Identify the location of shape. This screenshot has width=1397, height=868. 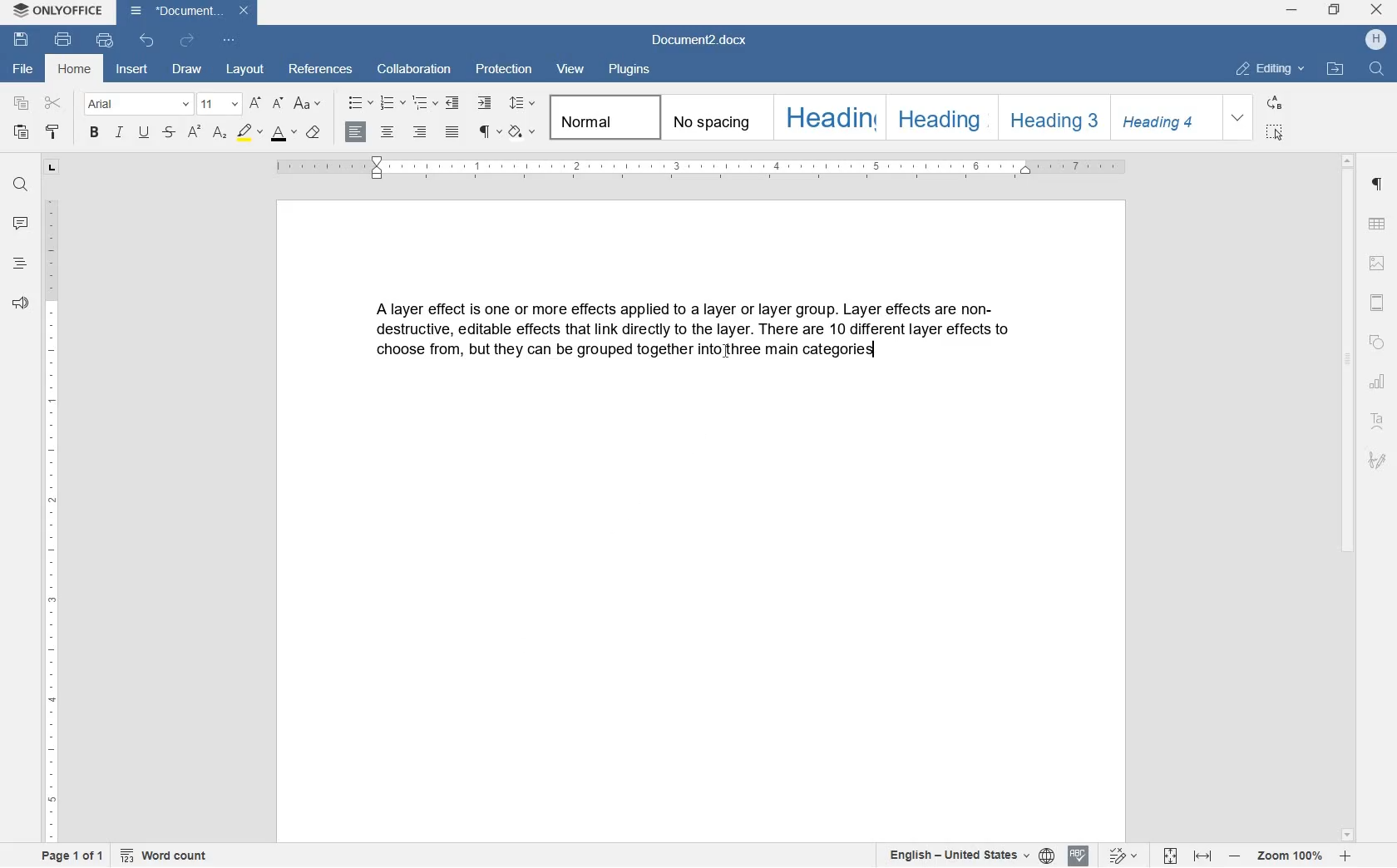
(1380, 343).